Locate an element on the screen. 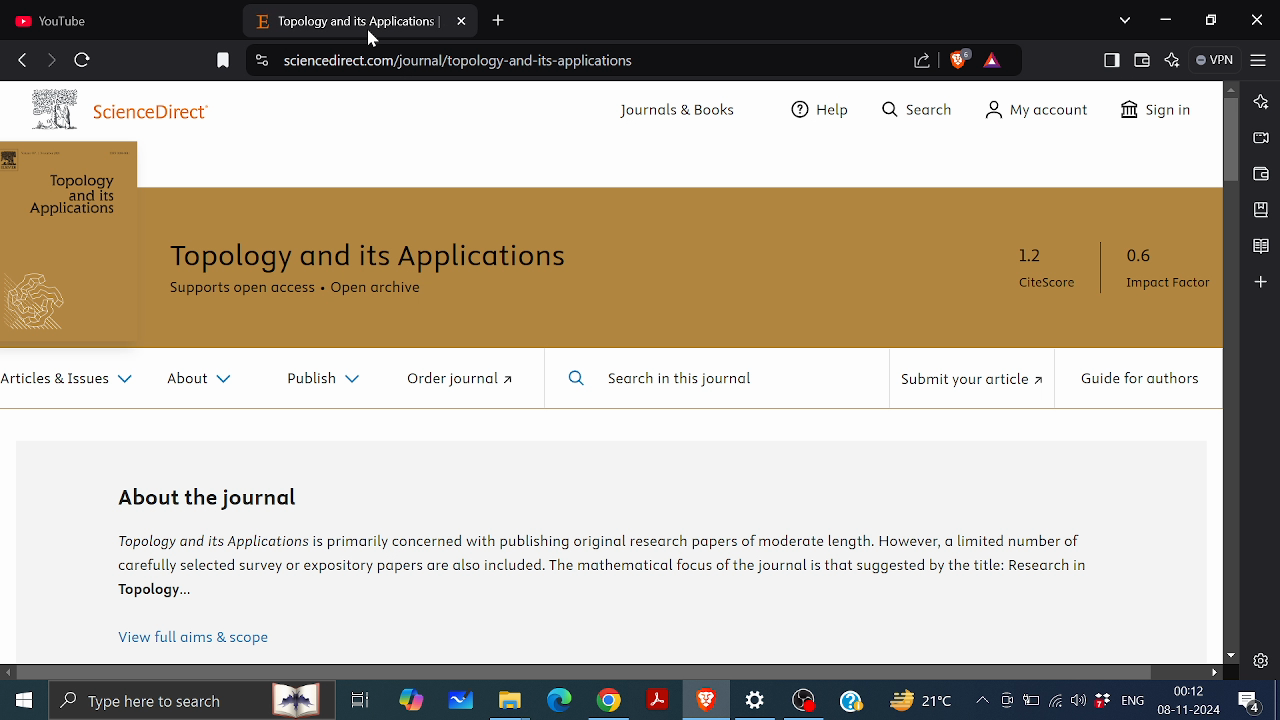  Whiteboard is located at coordinates (461, 700).